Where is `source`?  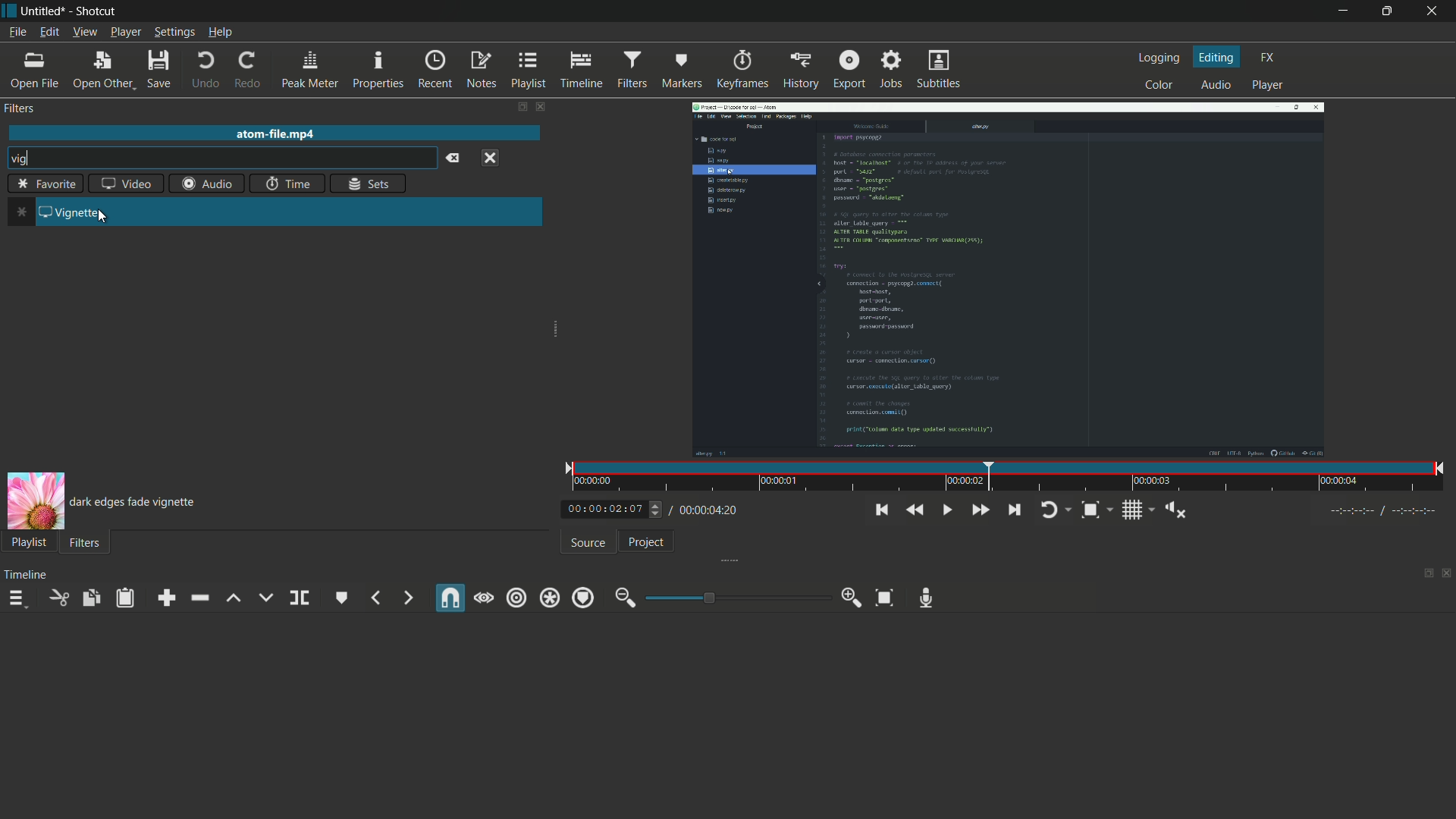 source is located at coordinates (587, 542).